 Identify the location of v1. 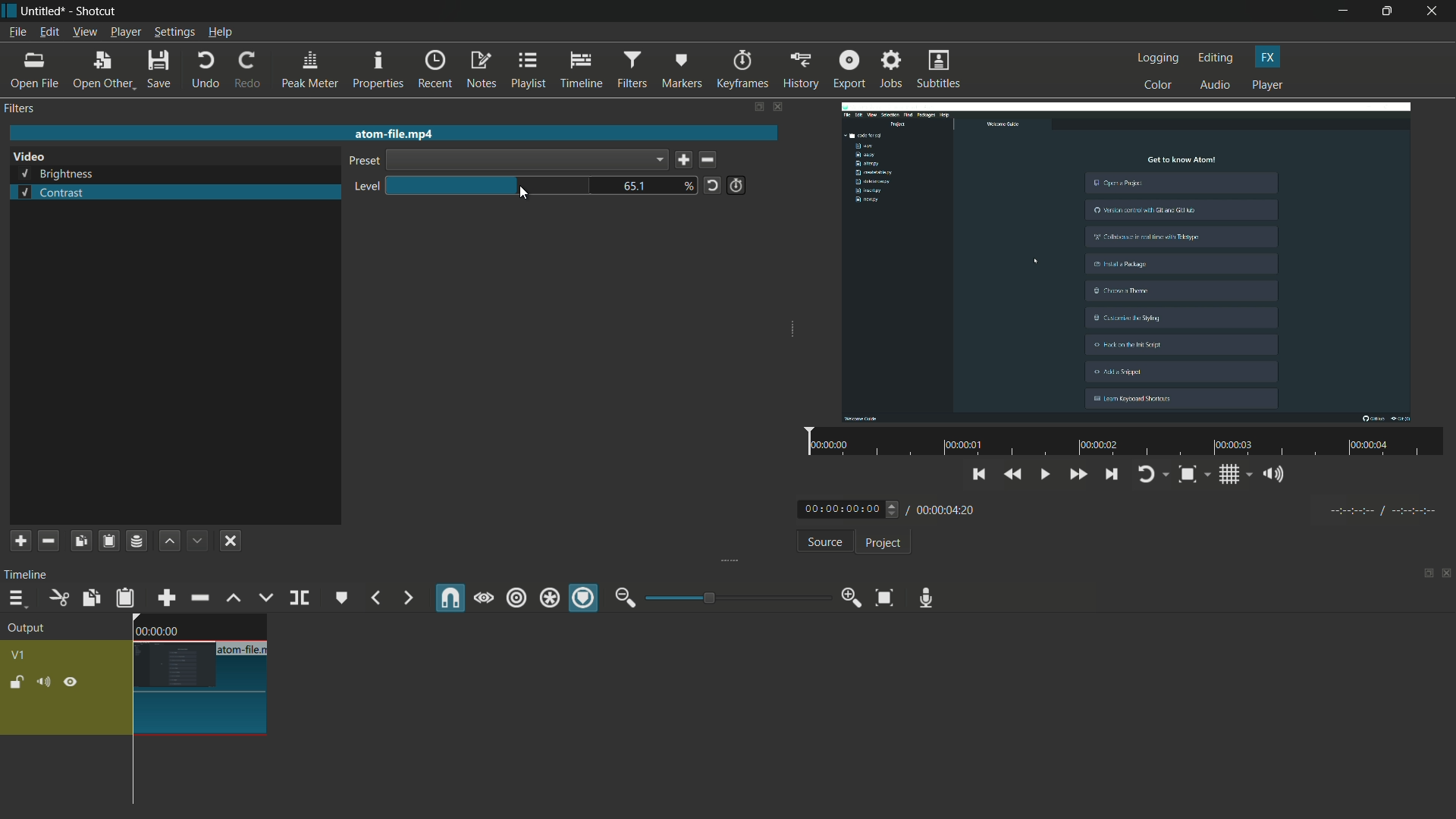
(21, 654).